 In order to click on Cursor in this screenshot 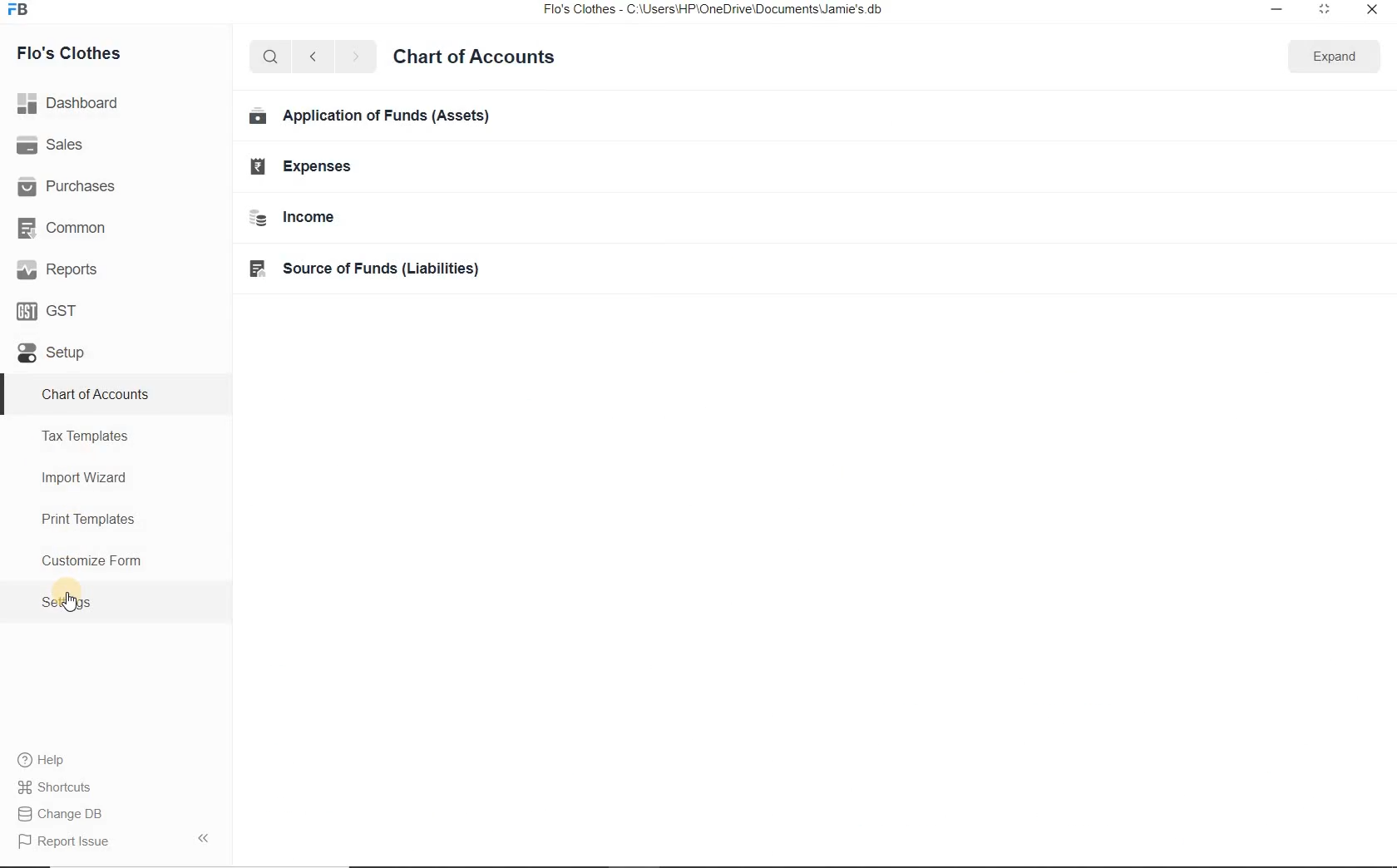, I will do `click(72, 602)`.